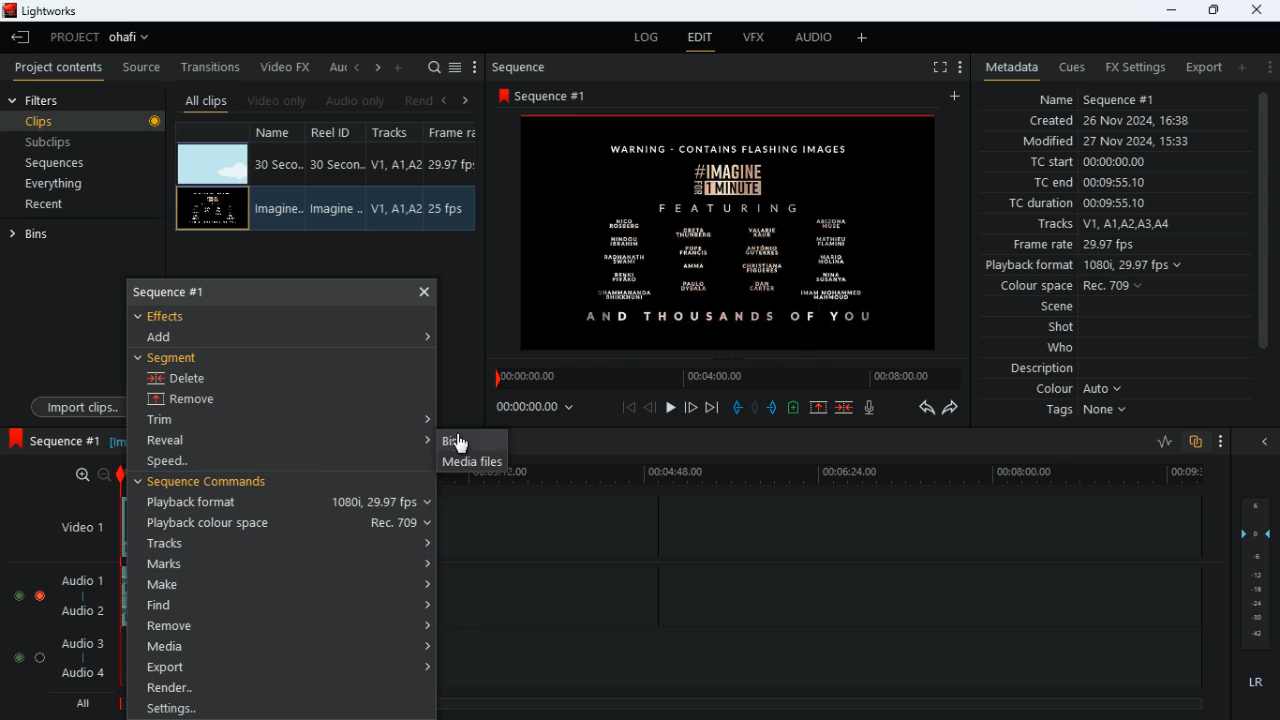 The image size is (1280, 720). Describe the element at coordinates (1061, 328) in the screenshot. I see `shot` at that location.